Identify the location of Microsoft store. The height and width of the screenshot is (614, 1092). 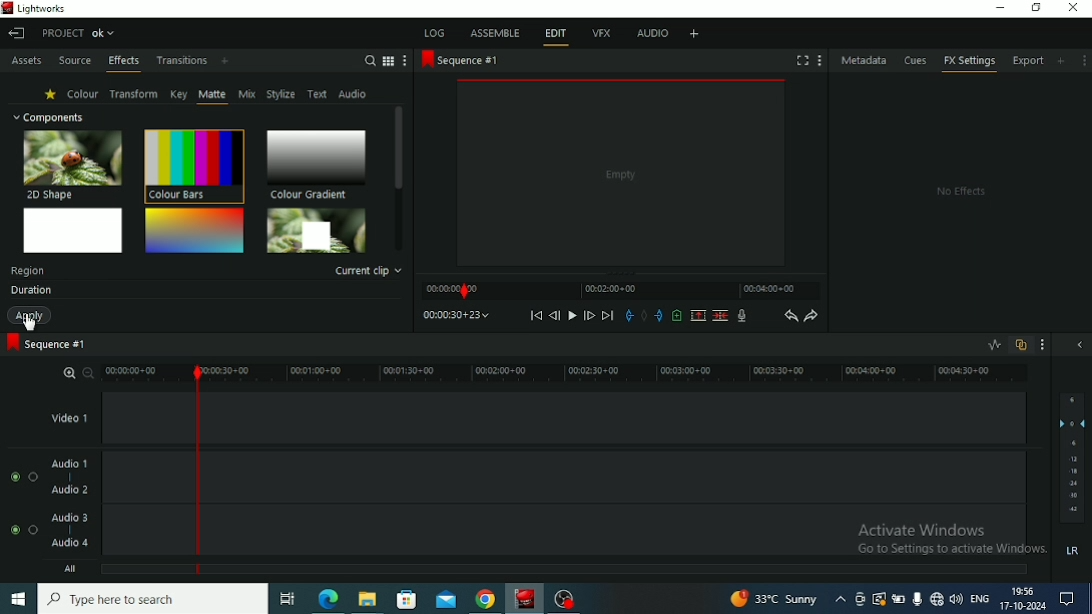
(405, 597).